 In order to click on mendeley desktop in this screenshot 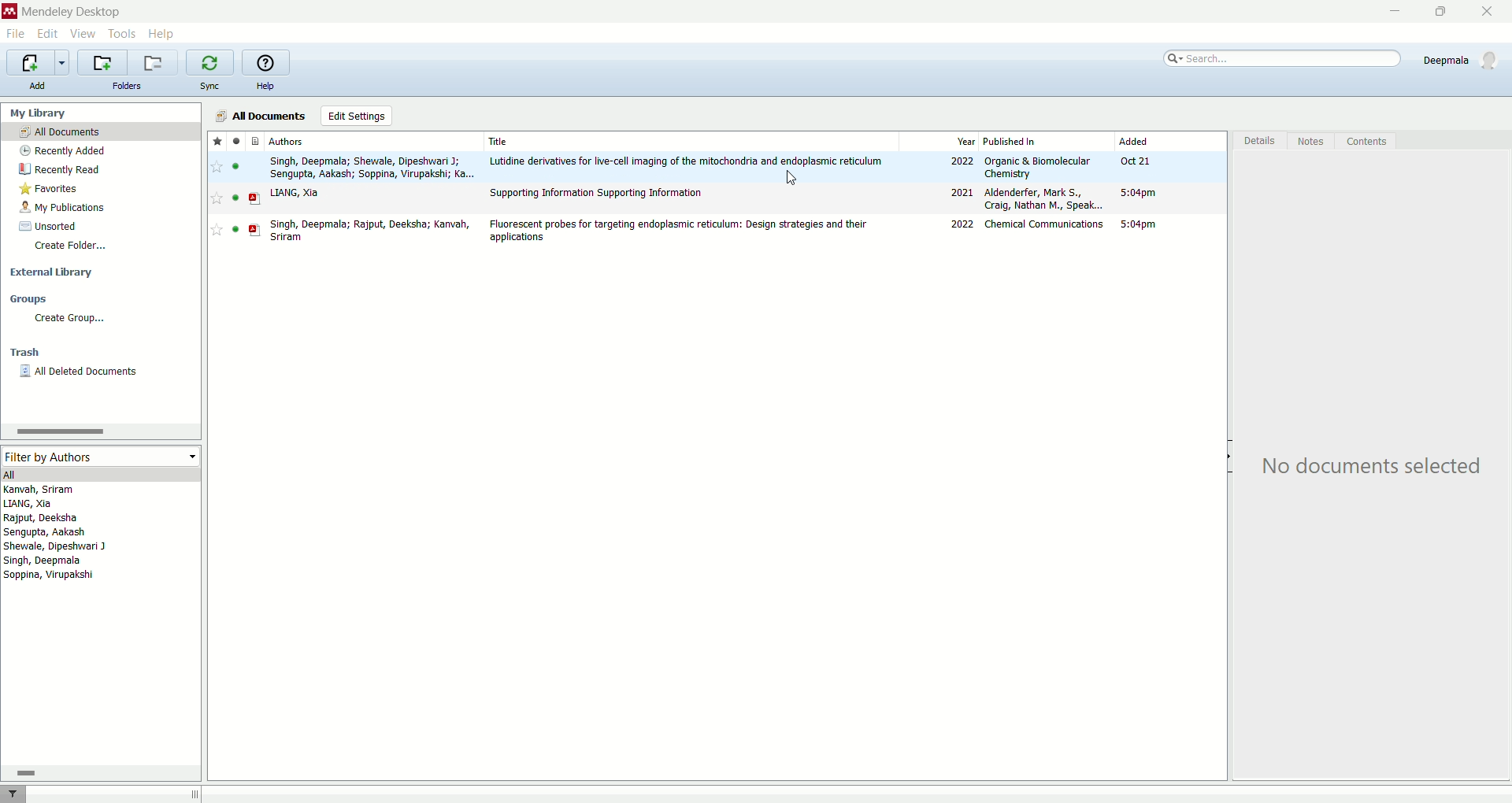, I will do `click(72, 13)`.